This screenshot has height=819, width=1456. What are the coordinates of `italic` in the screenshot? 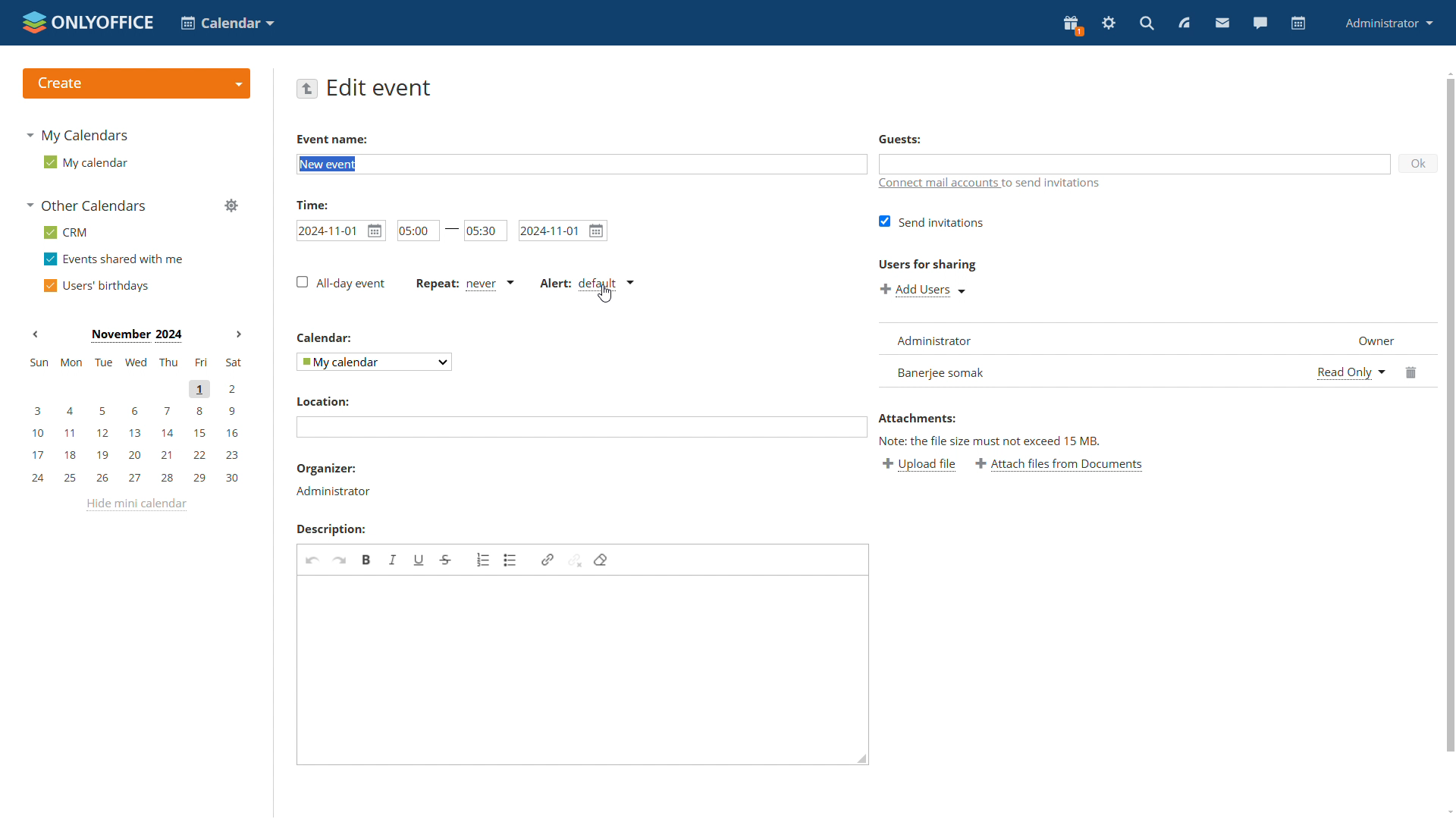 It's located at (394, 560).